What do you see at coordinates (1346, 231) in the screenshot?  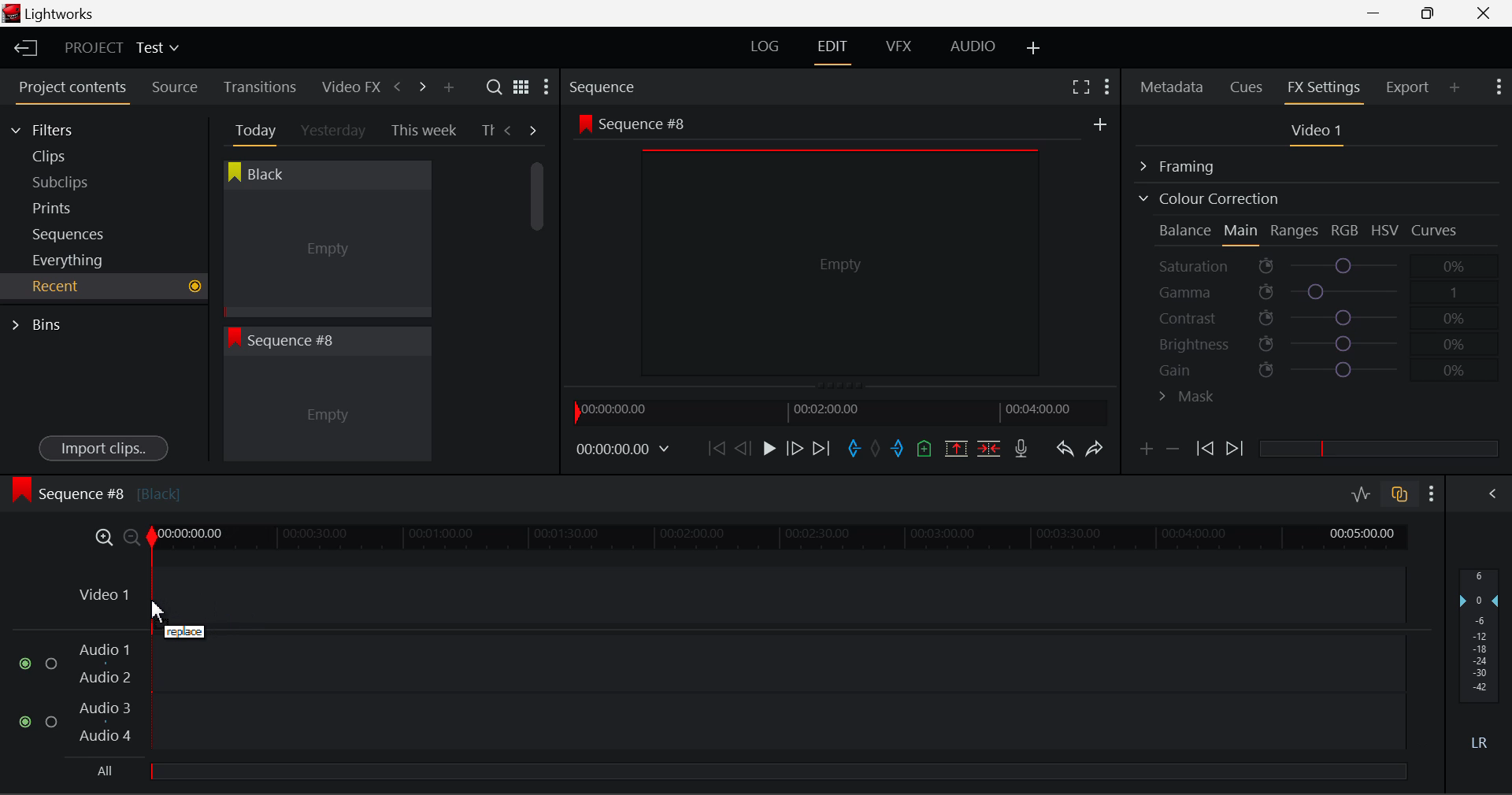 I see `RGB` at bounding box center [1346, 231].